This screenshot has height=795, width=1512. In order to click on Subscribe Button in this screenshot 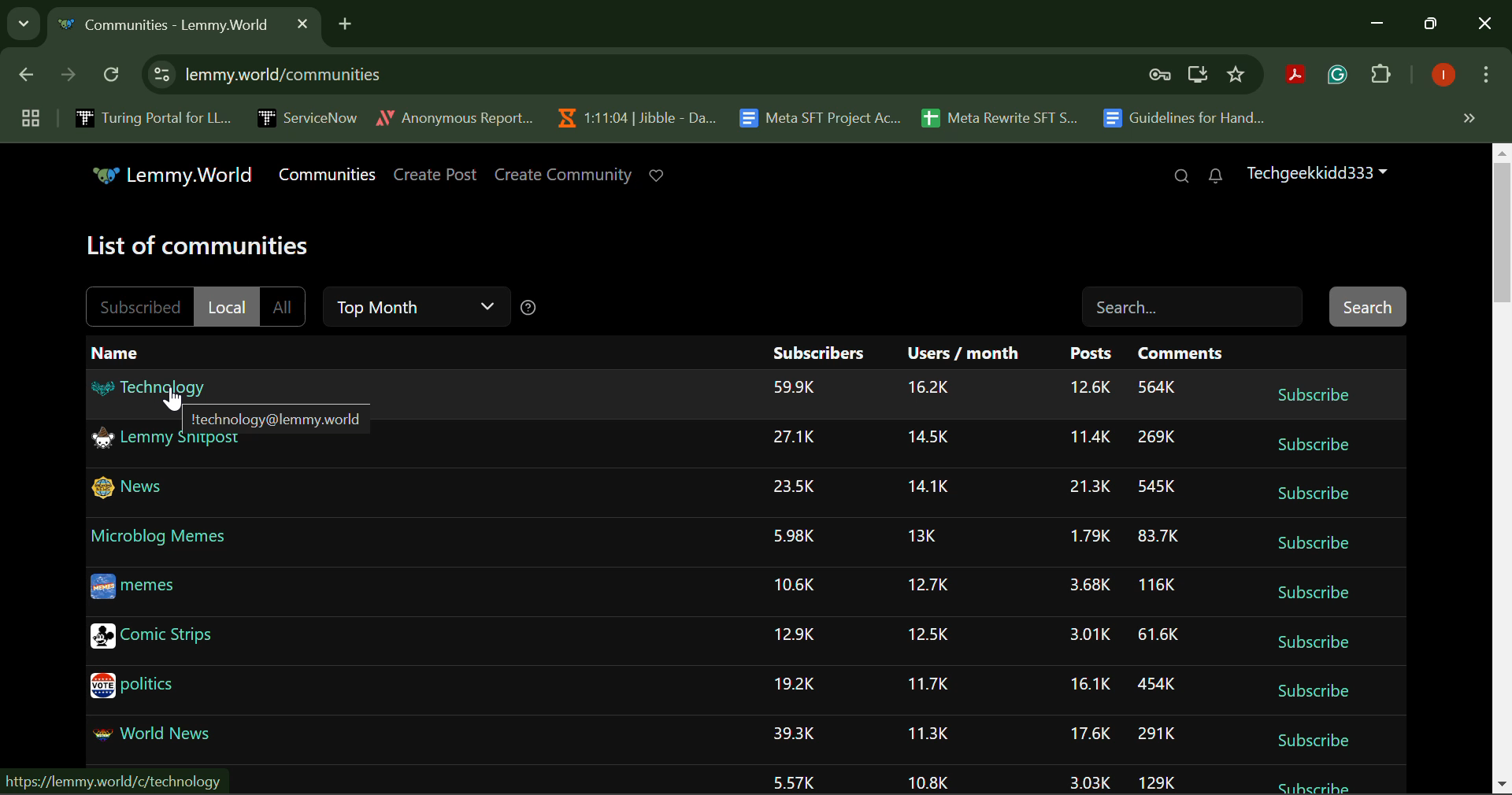, I will do `click(1313, 691)`.